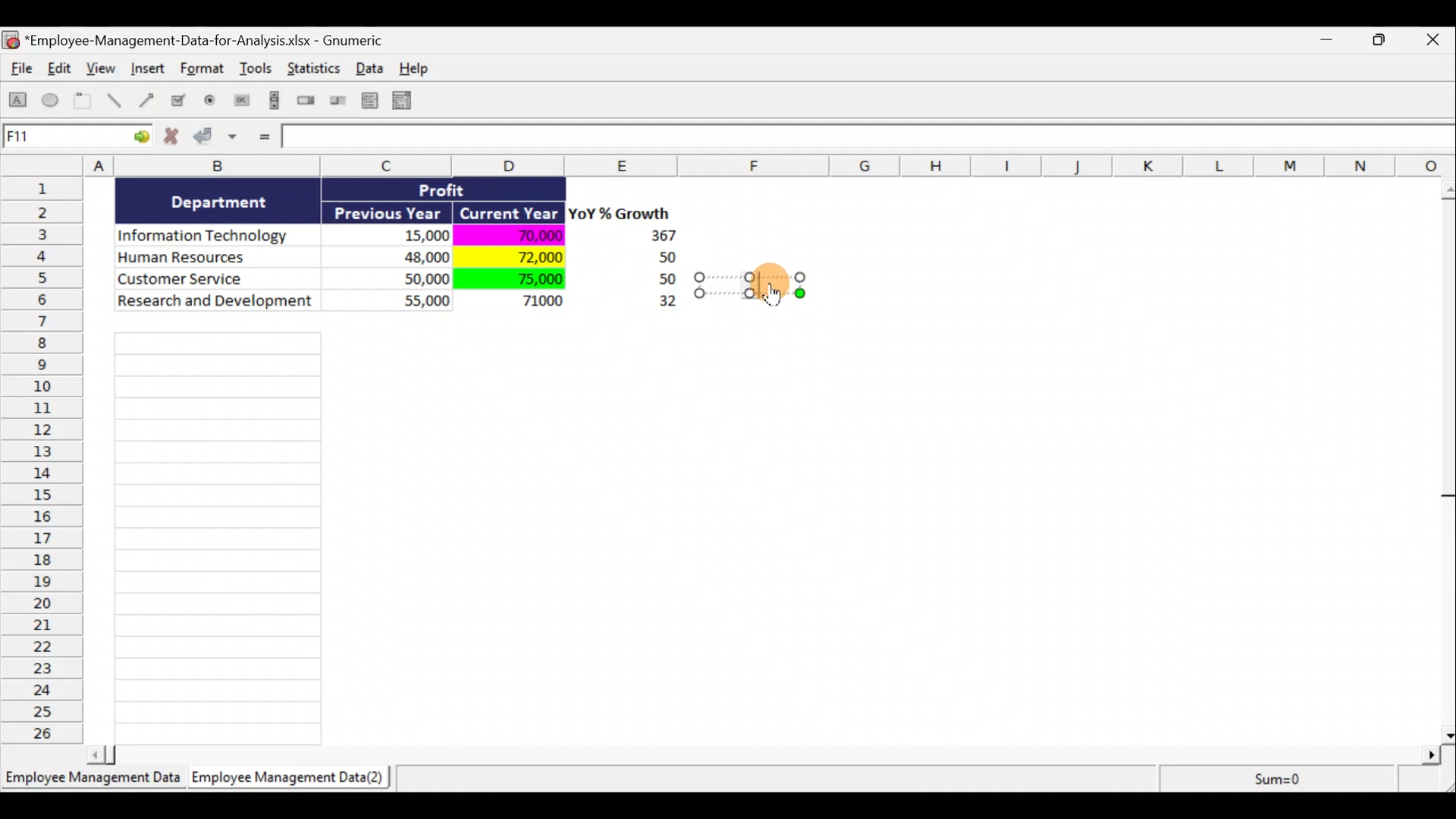  What do you see at coordinates (240, 104) in the screenshot?
I see `Create a button` at bounding box center [240, 104].